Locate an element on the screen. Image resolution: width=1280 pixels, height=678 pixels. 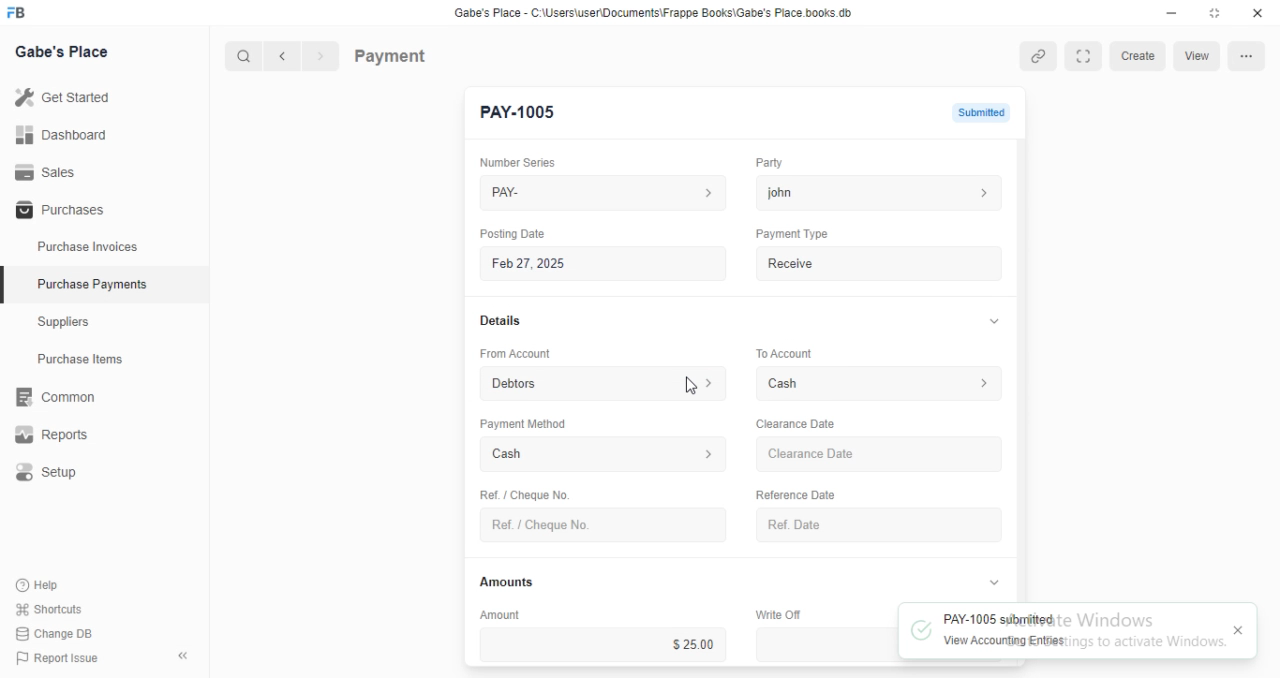
Party is located at coordinates (767, 163).